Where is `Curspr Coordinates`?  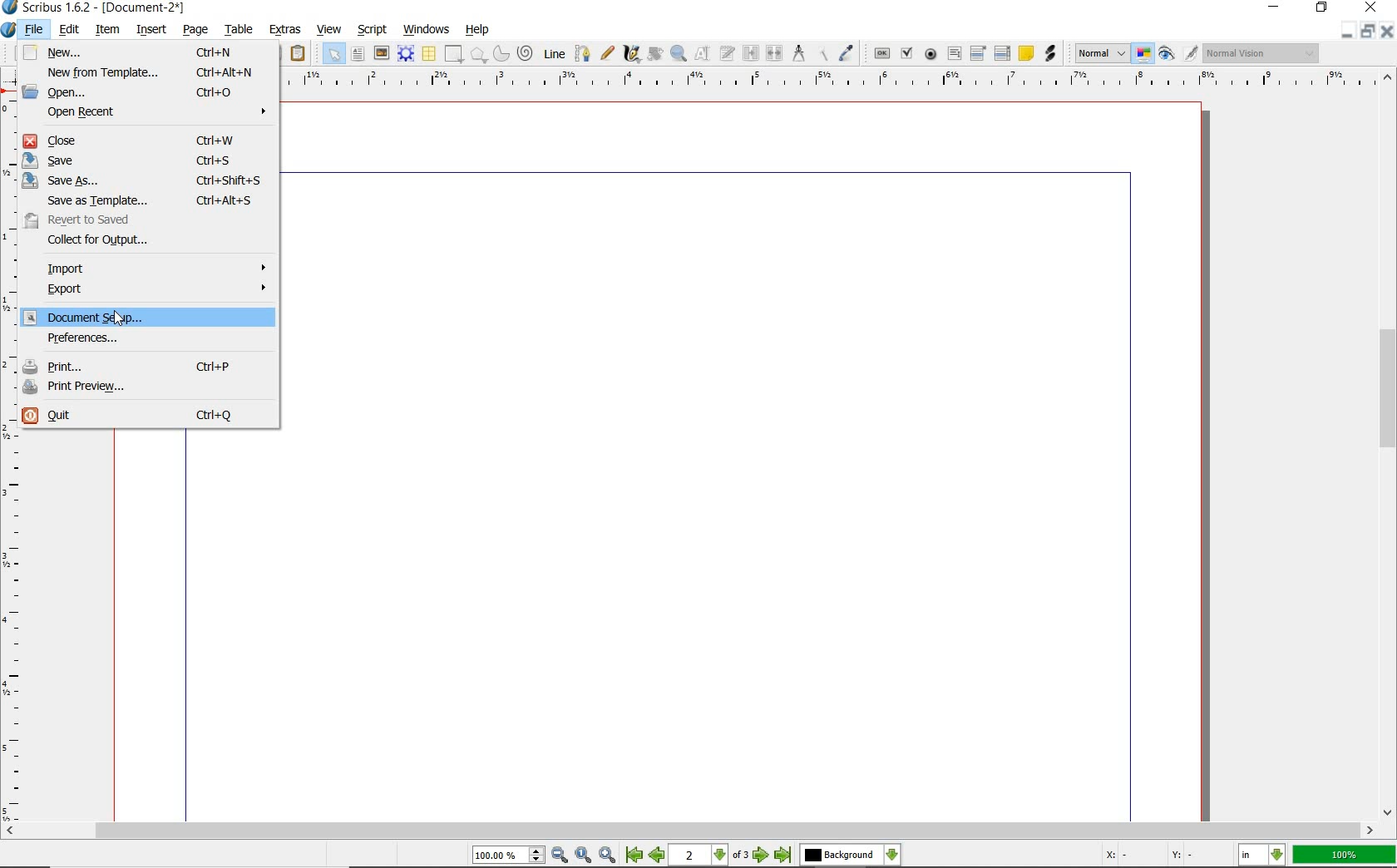
Curspr Coordinates is located at coordinates (1150, 856).